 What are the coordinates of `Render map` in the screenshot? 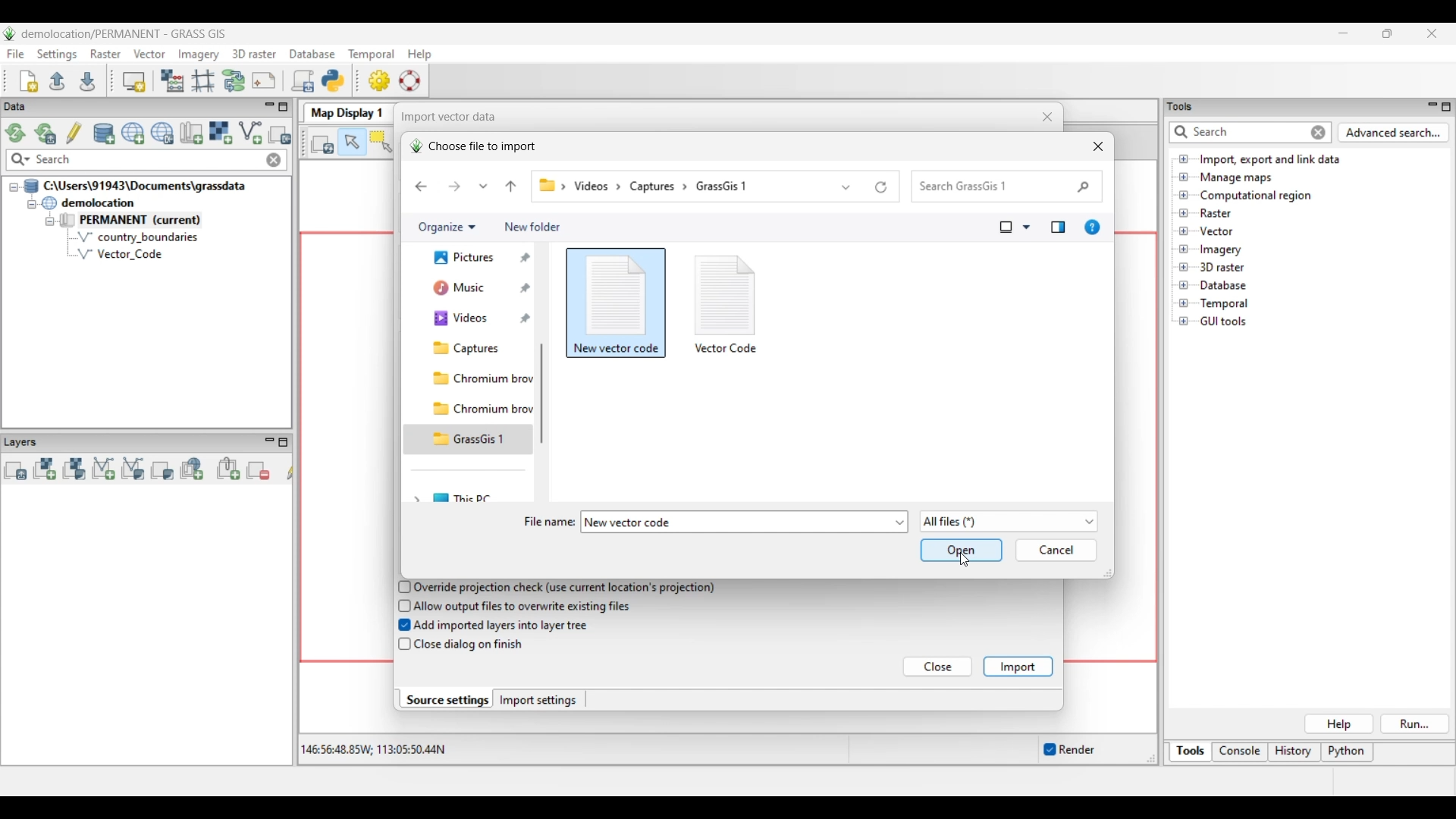 It's located at (323, 143).